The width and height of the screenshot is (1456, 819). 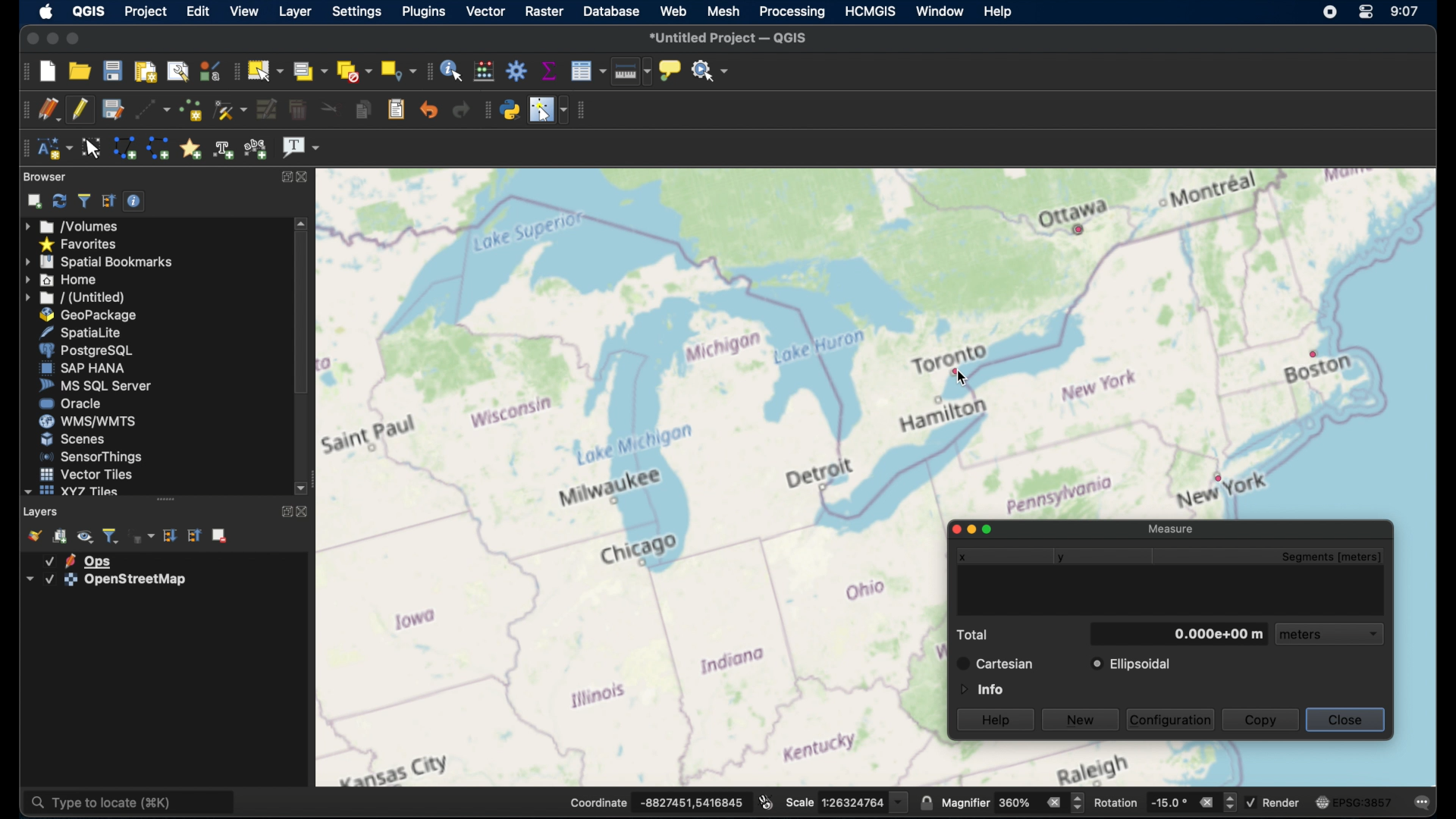 What do you see at coordinates (111, 535) in the screenshot?
I see `filter legend` at bounding box center [111, 535].